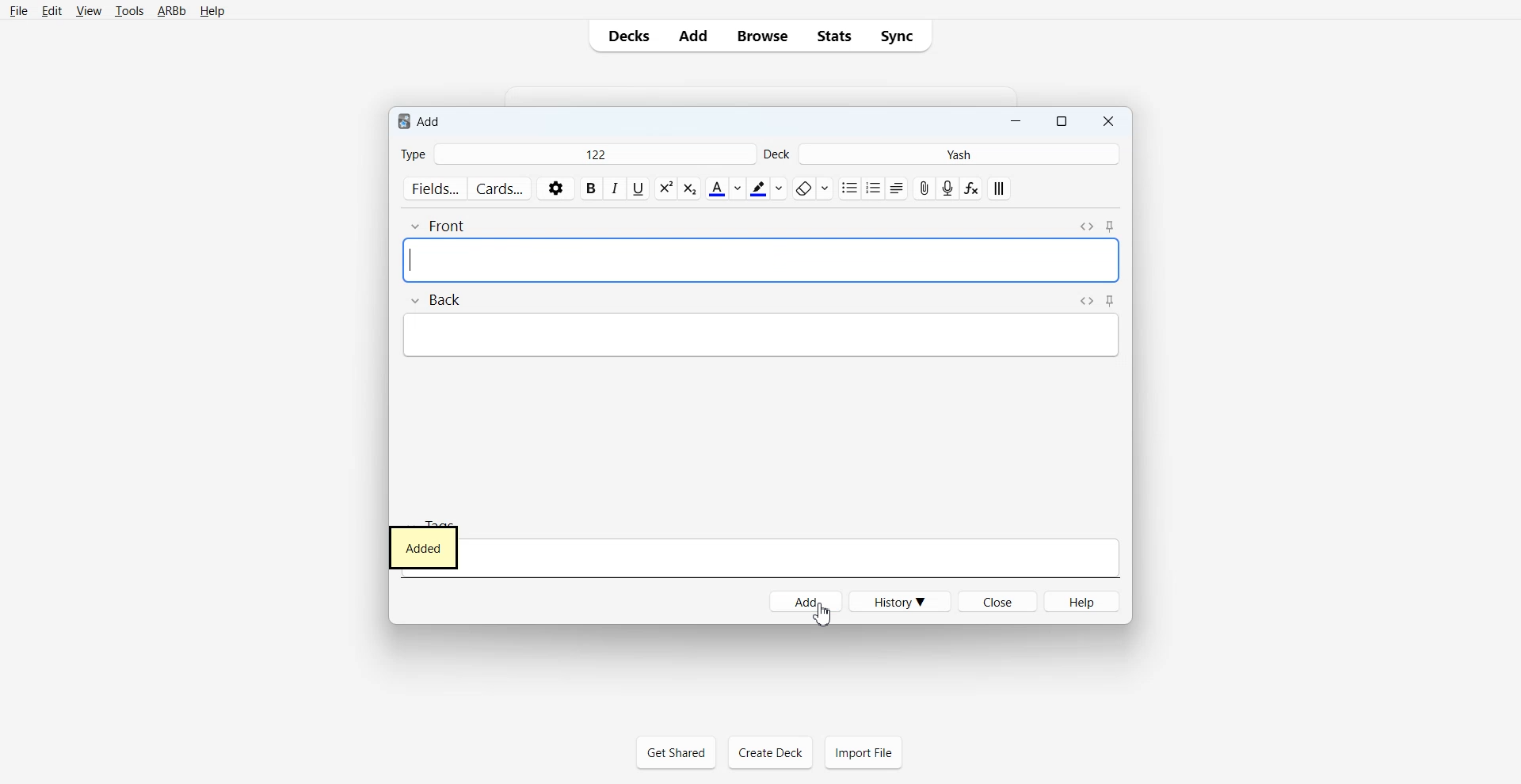  Describe the element at coordinates (435, 186) in the screenshot. I see `fields` at that location.